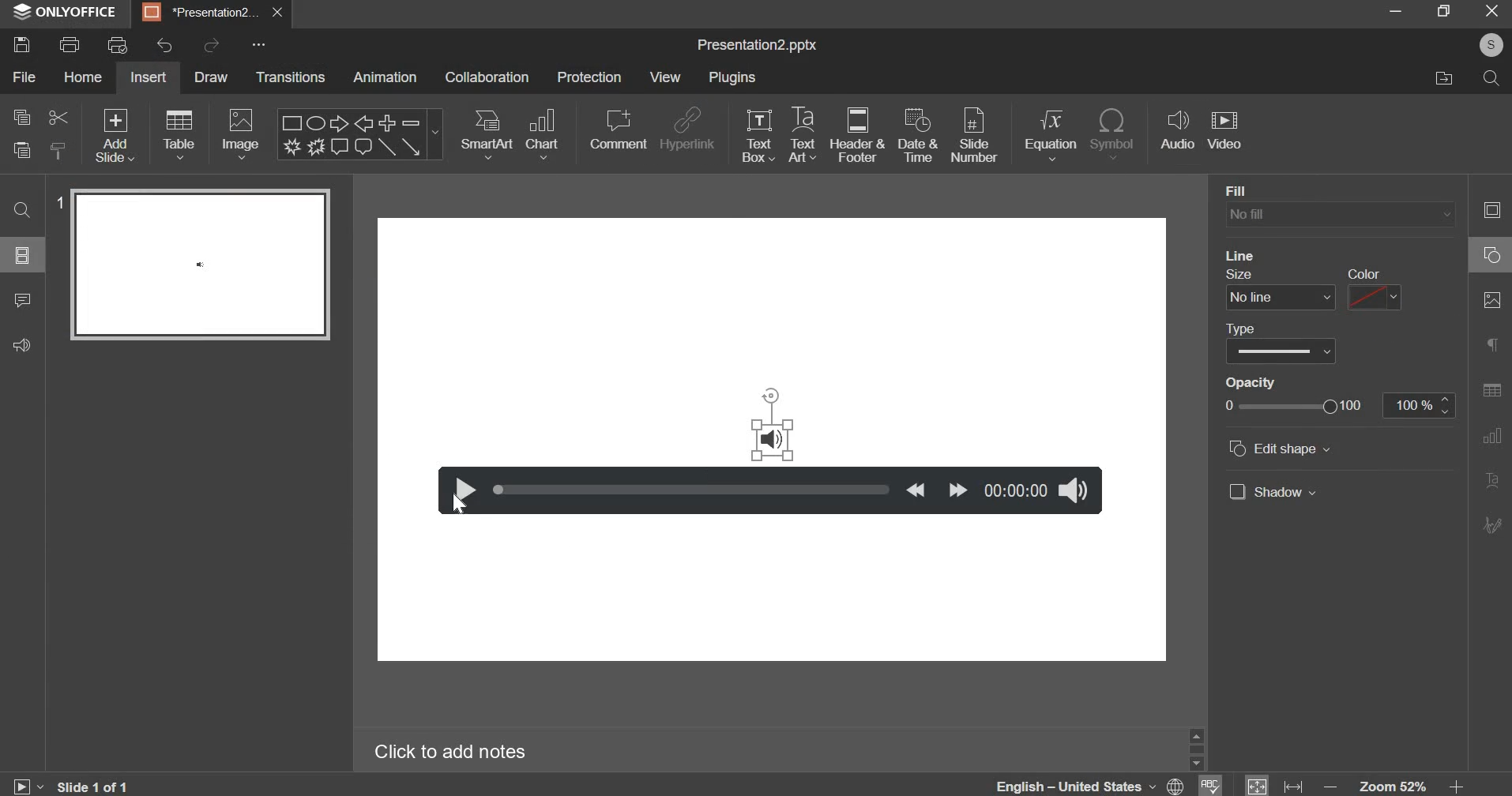 The image size is (1512, 796). I want to click on fit to width, so click(1292, 784).